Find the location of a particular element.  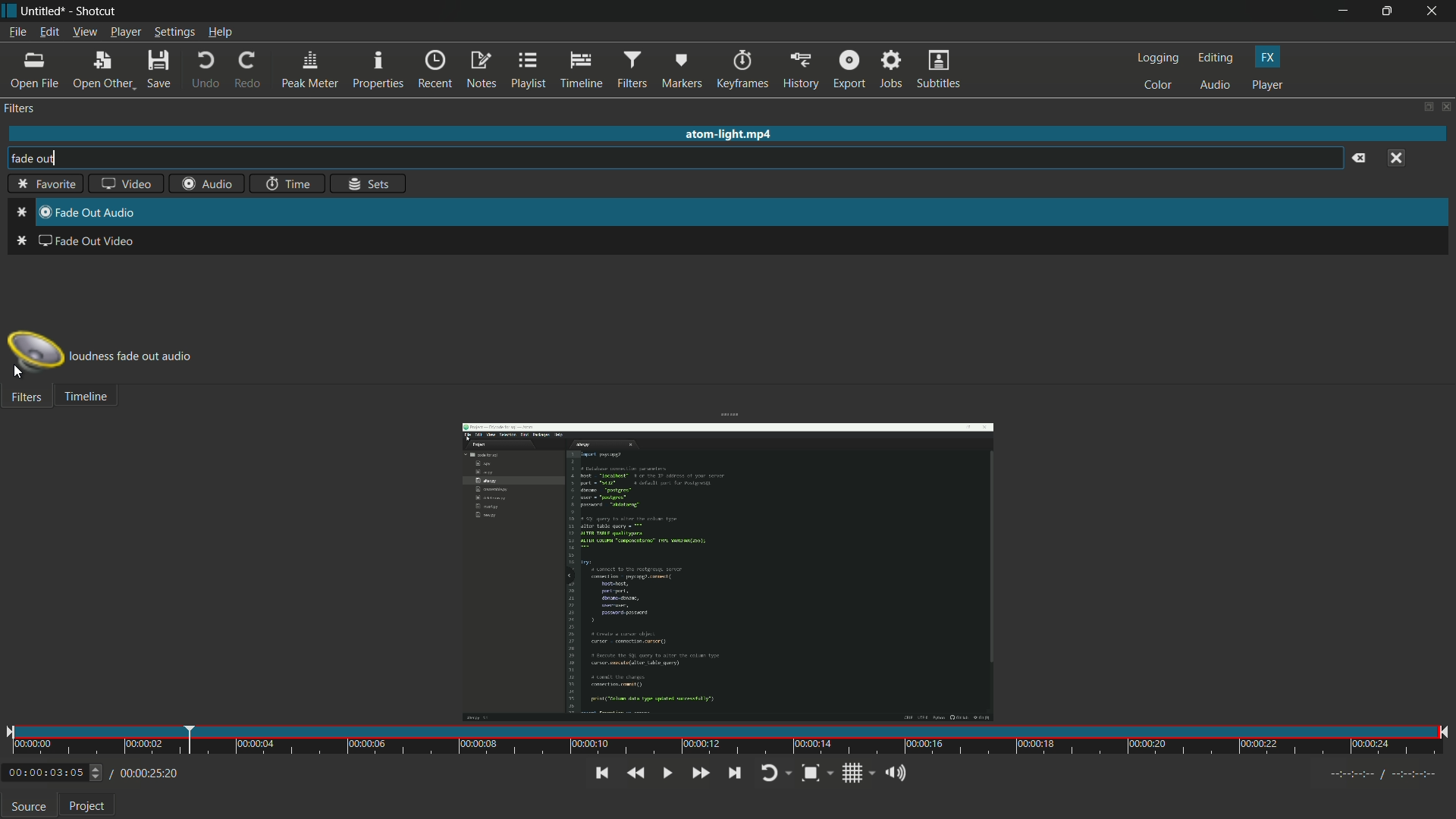

project is located at coordinates (88, 808).